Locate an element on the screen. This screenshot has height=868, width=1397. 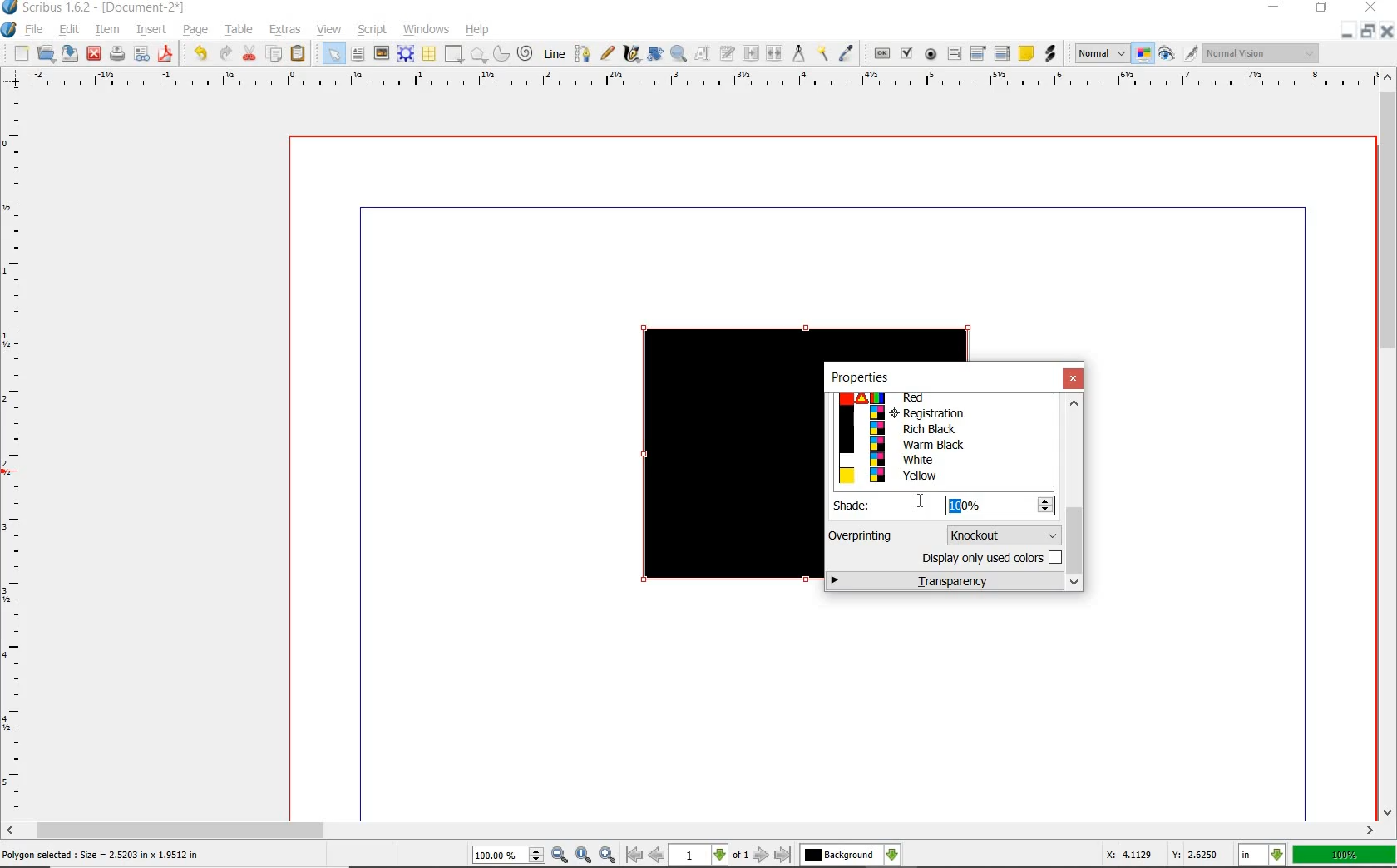
ruler is located at coordinates (696, 81).